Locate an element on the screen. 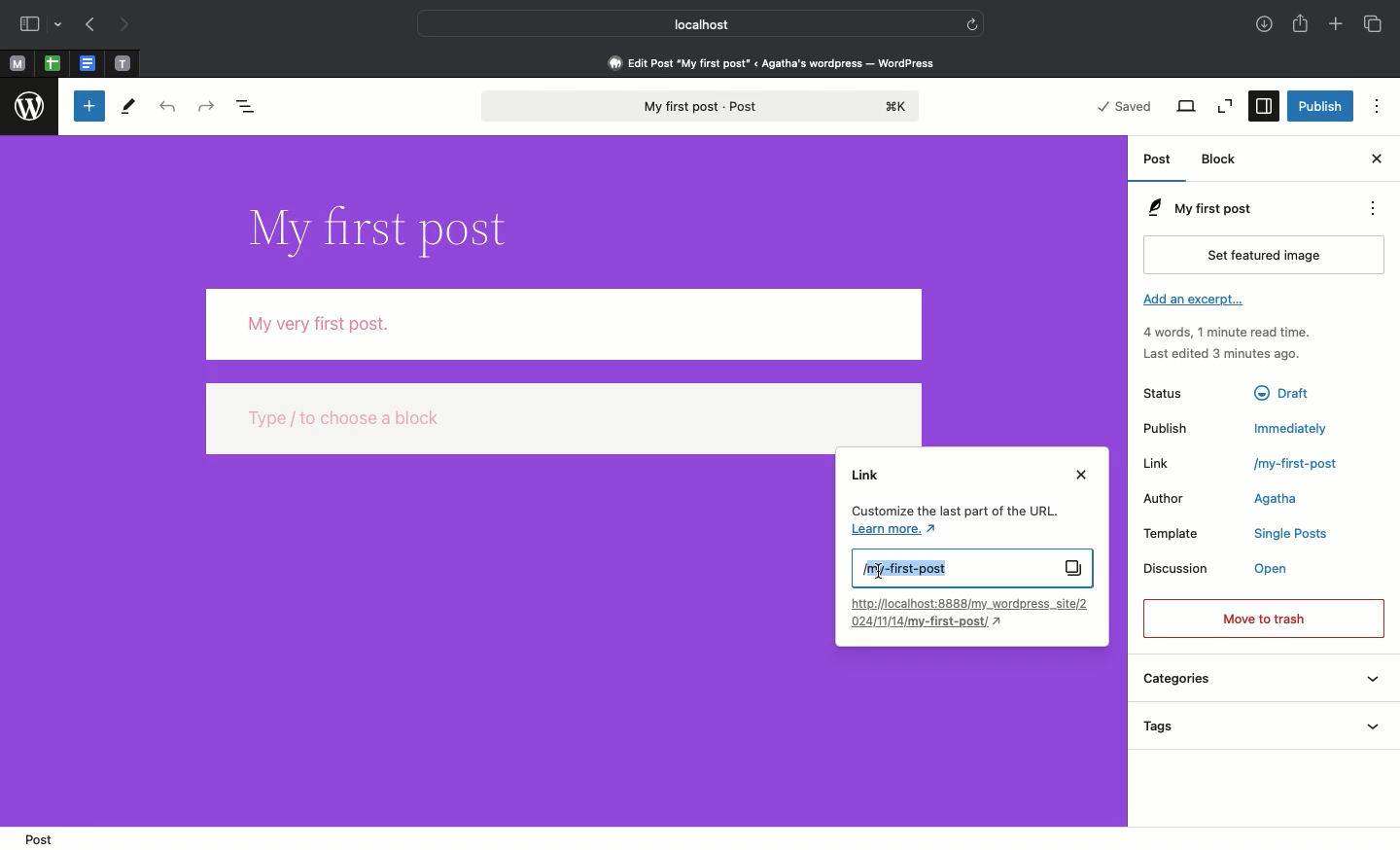  Wordpress is located at coordinates (28, 107).